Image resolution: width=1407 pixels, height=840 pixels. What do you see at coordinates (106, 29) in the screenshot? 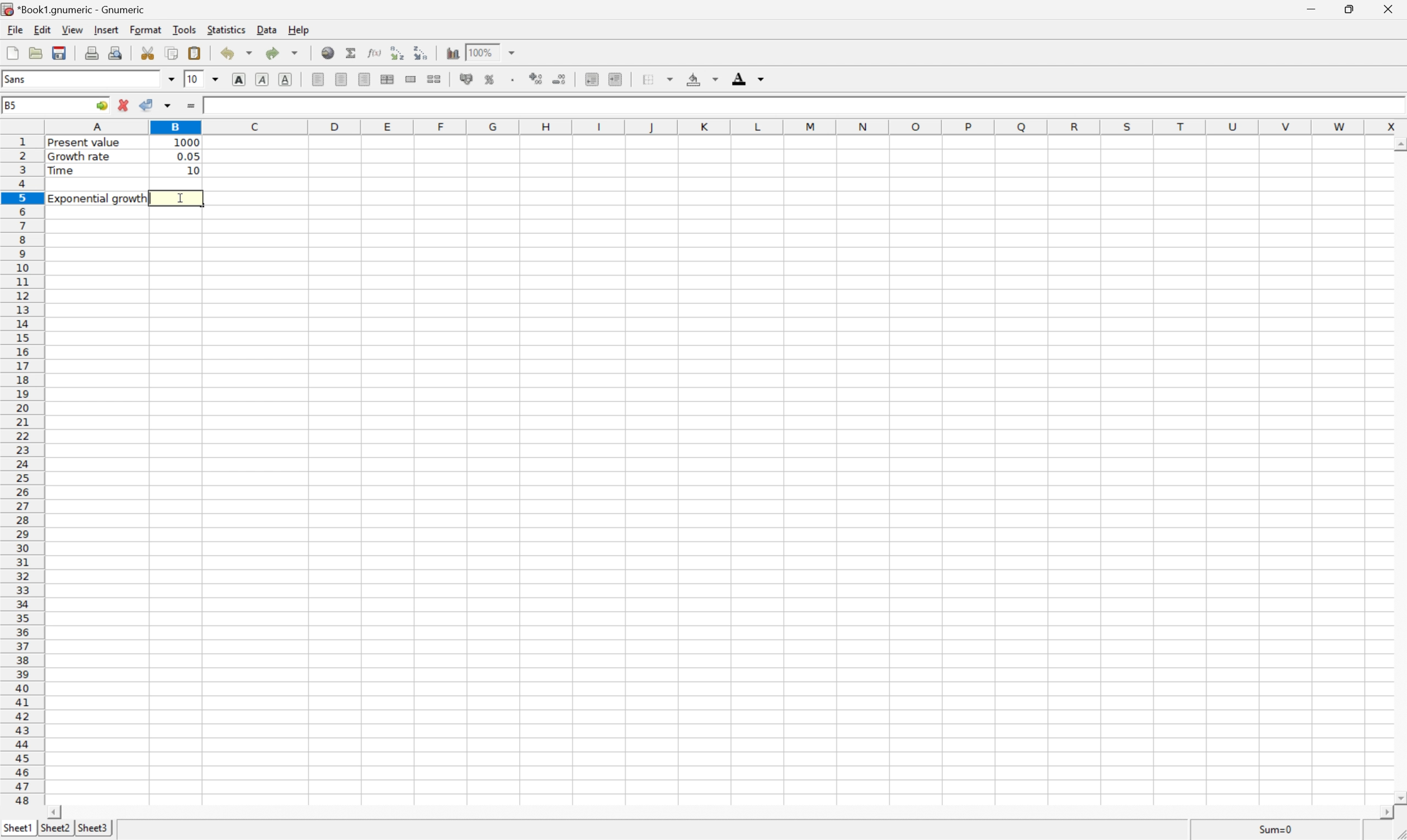
I see `Insert` at bounding box center [106, 29].